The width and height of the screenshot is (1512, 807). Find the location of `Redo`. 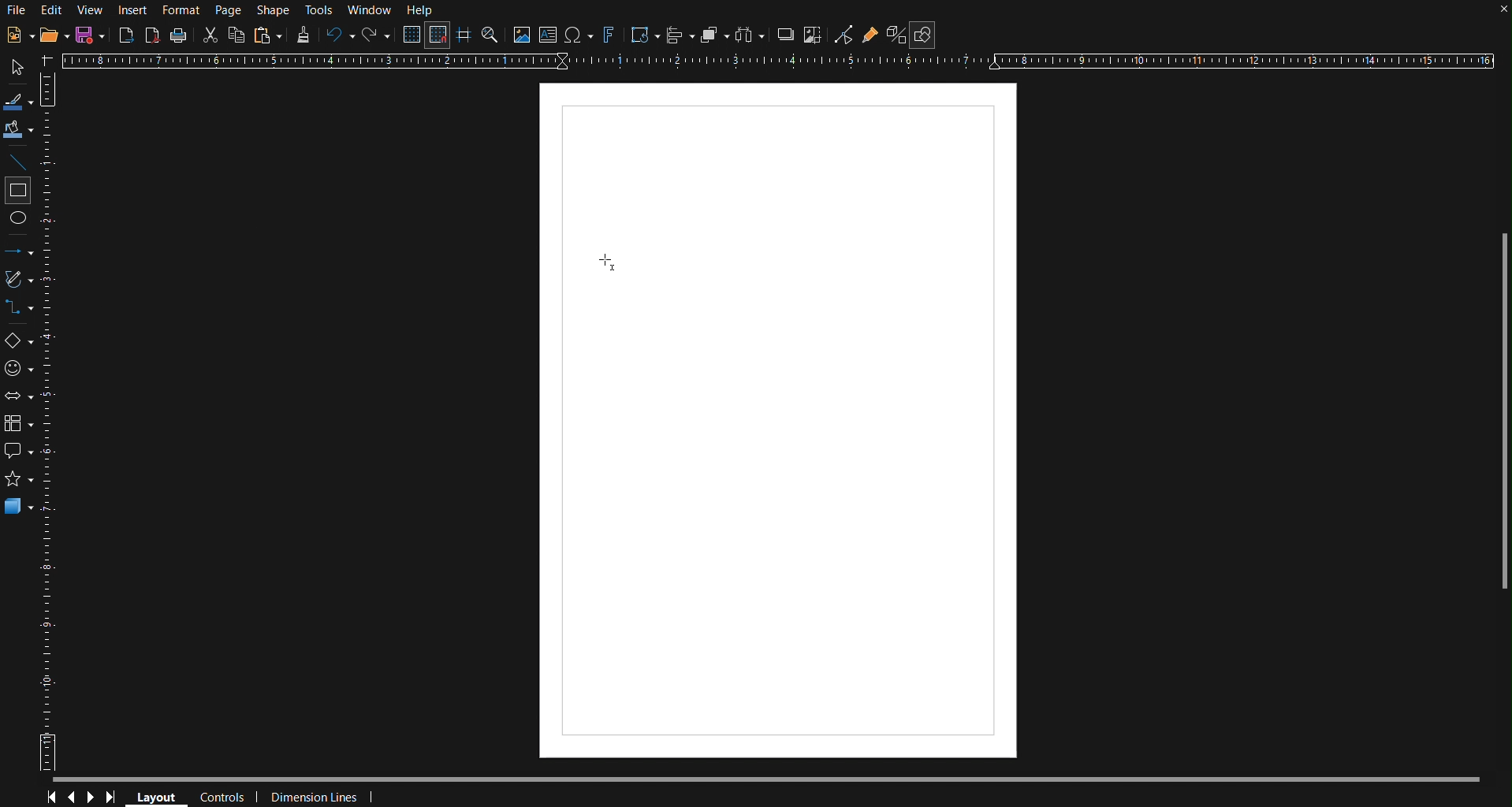

Redo is located at coordinates (375, 35).